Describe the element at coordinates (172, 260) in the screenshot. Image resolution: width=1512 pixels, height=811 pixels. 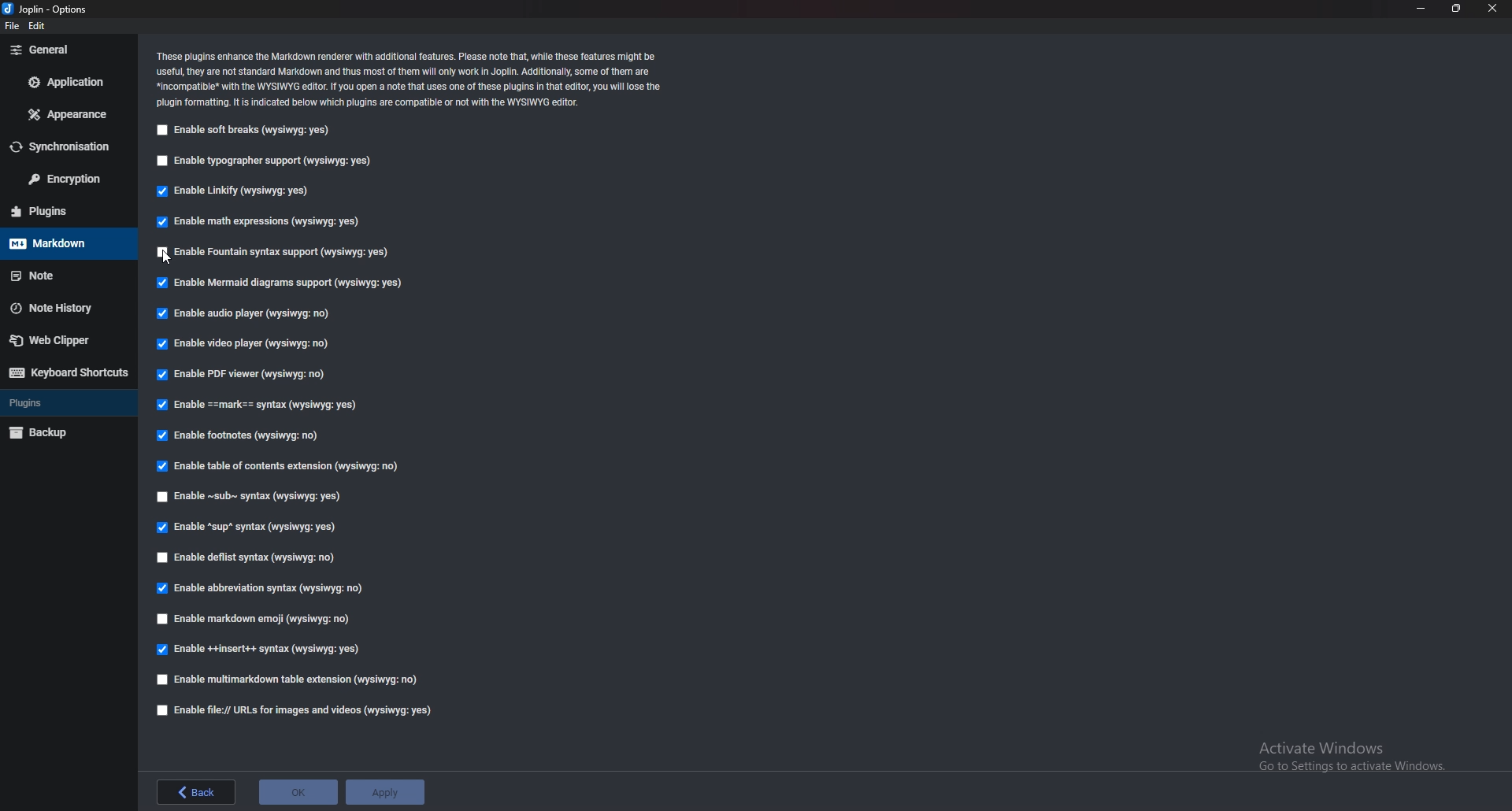
I see `cursor` at that location.